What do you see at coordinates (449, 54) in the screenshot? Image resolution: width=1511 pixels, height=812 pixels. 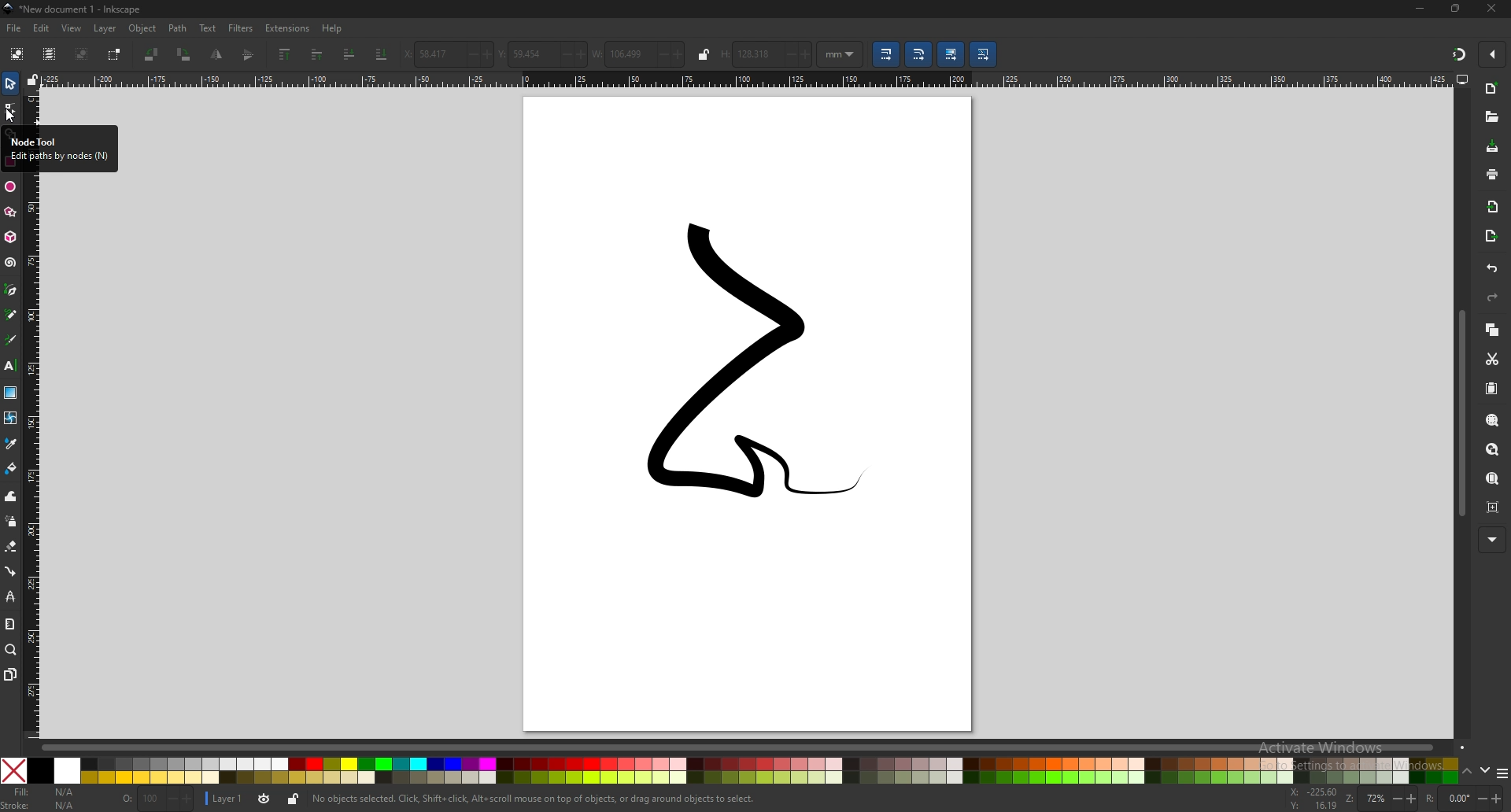 I see `x coordinates` at bounding box center [449, 54].